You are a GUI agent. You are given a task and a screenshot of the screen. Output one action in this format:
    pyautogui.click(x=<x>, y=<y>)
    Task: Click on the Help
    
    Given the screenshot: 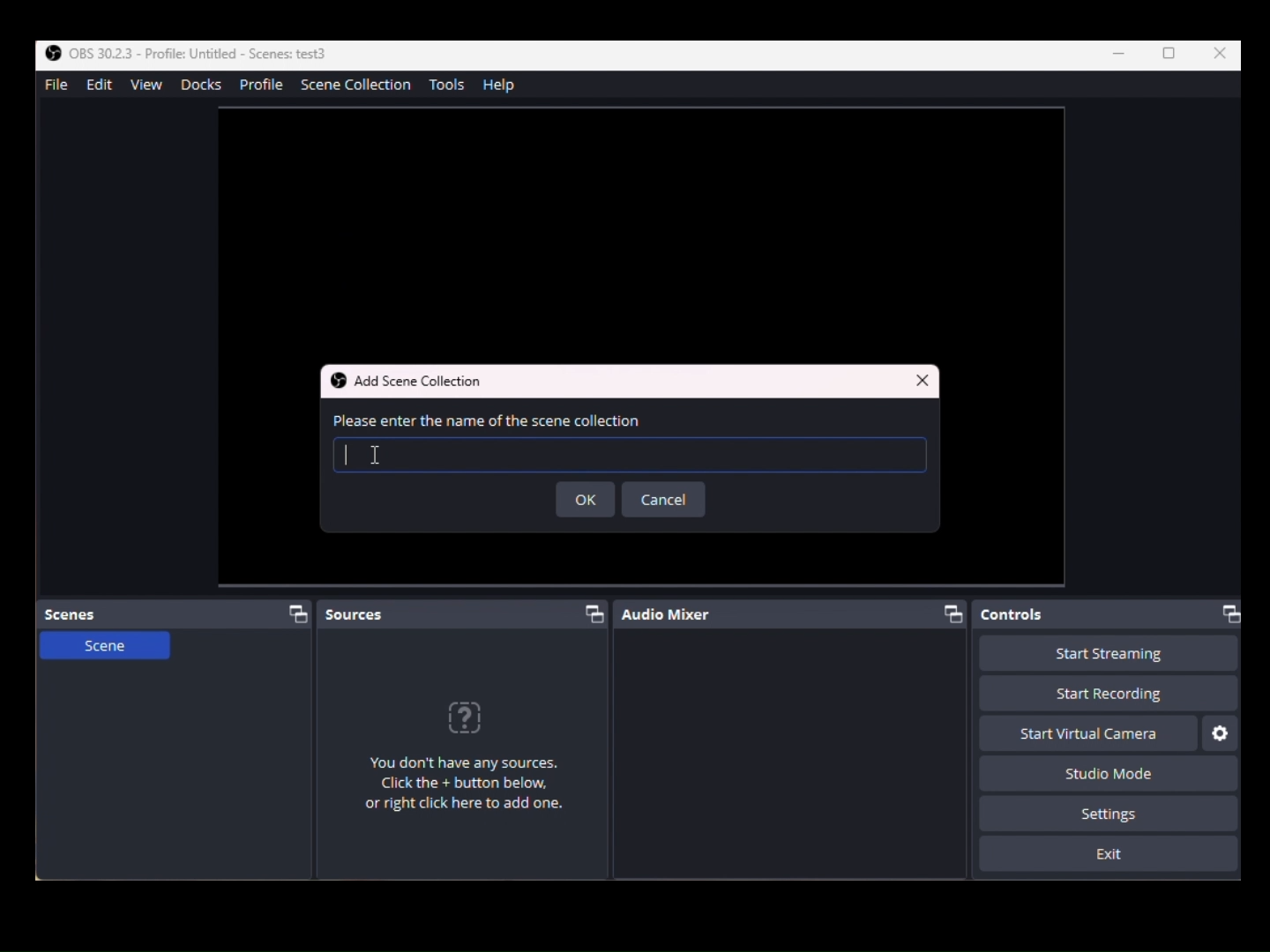 What is the action you would take?
    pyautogui.click(x=504, y=85)
    